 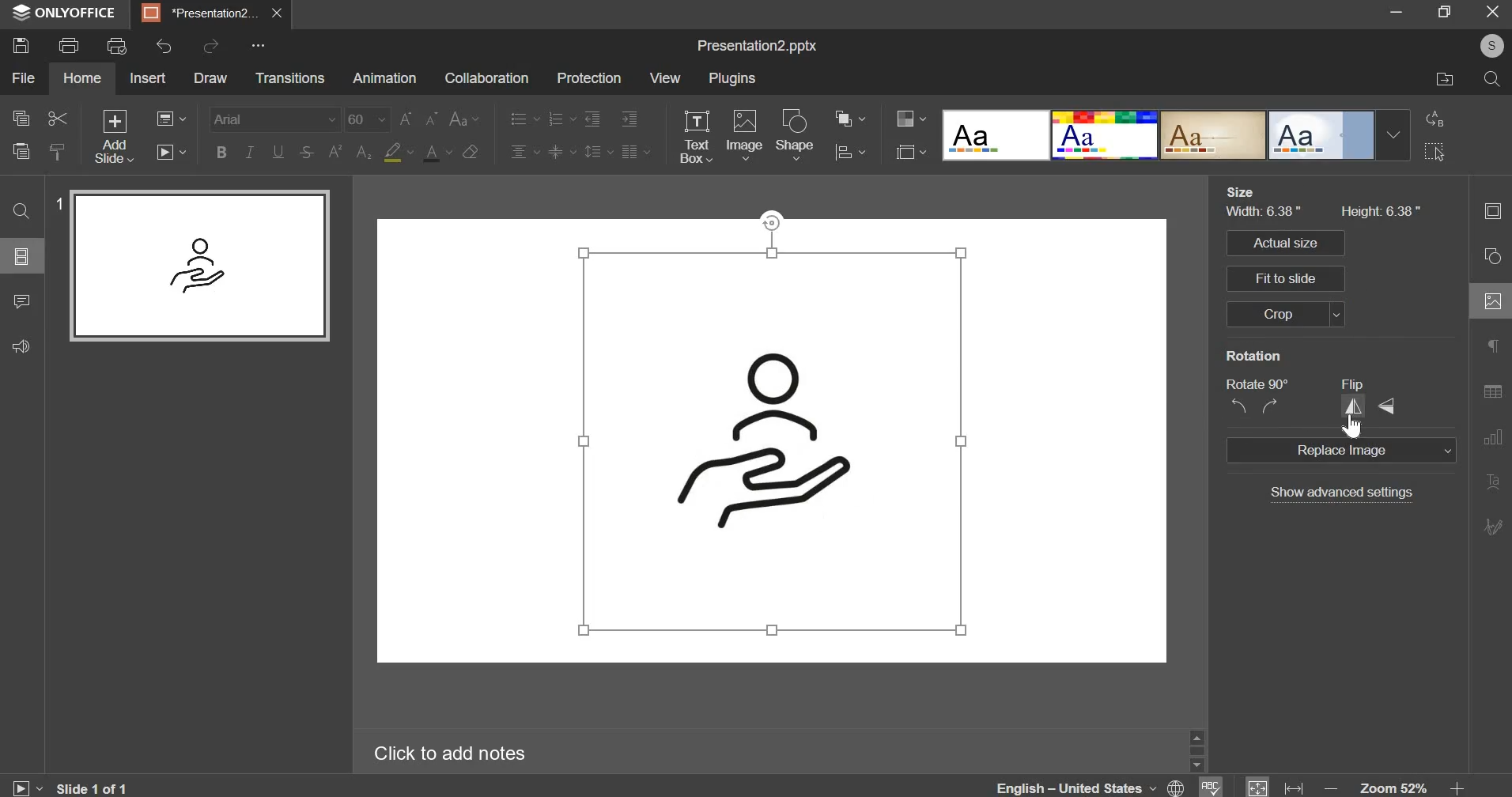 What do you see at coordinates (746, 133) in the screenshot?
I see `image` at bounding box center [746, 133].